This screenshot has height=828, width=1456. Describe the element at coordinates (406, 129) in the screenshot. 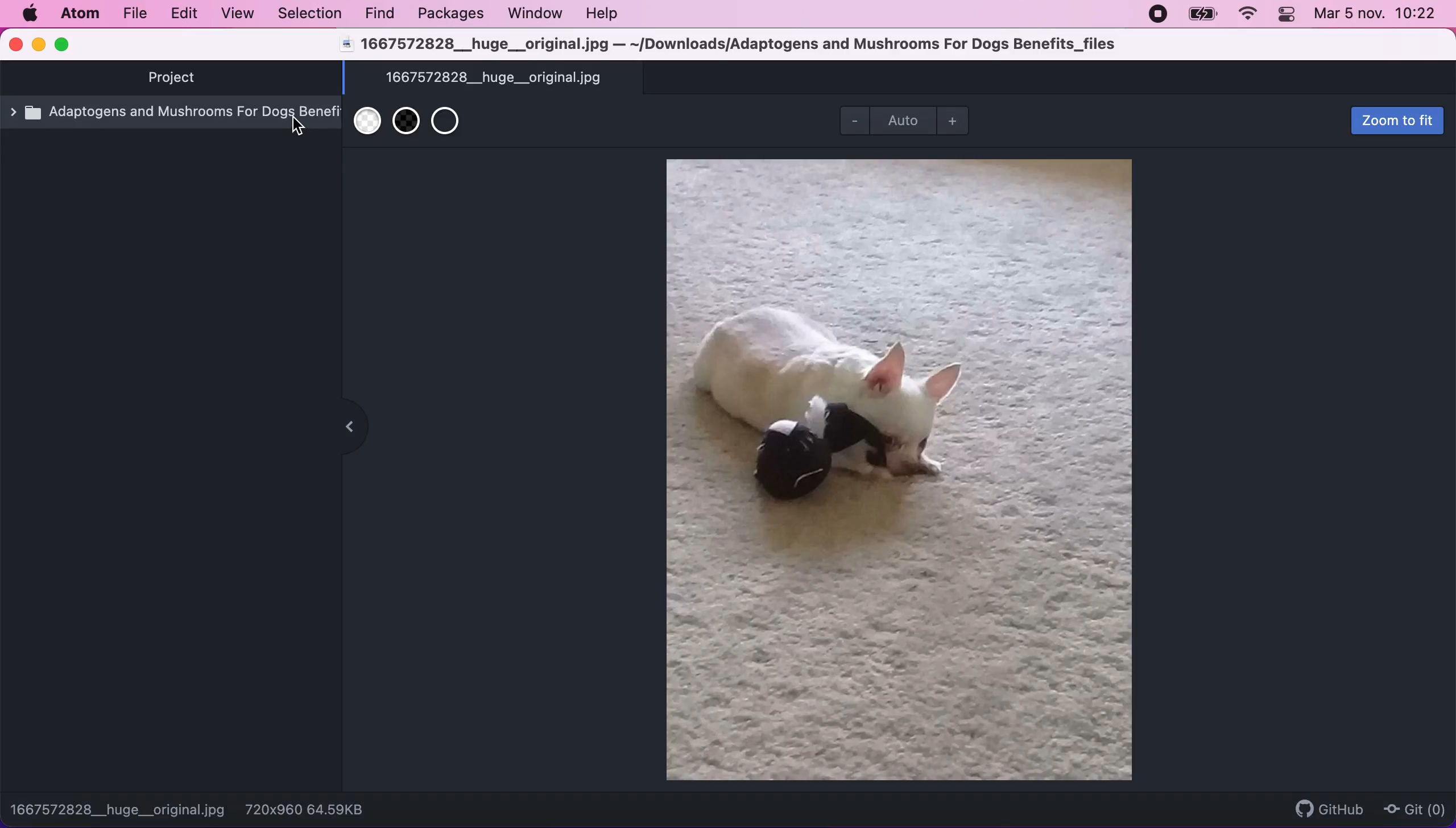

I see `use black transparent background` at that location.